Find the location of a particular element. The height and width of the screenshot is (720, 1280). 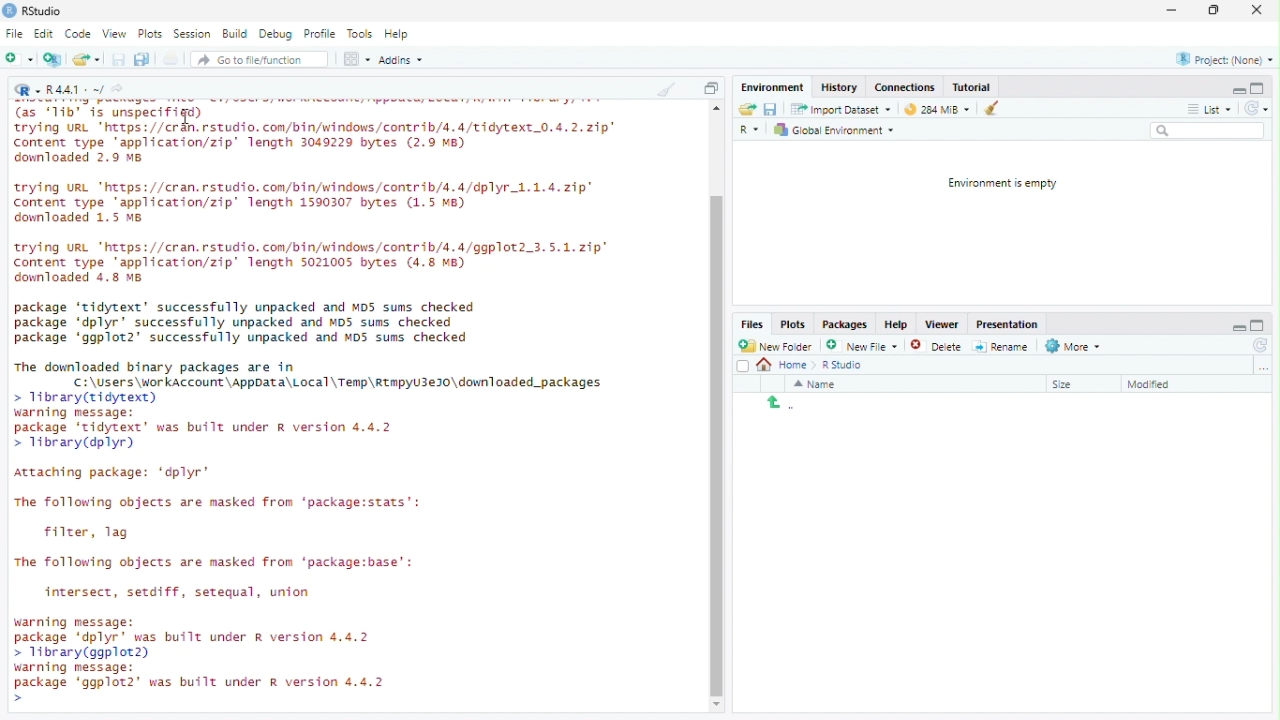

Help is located at coordinates (397, 33).